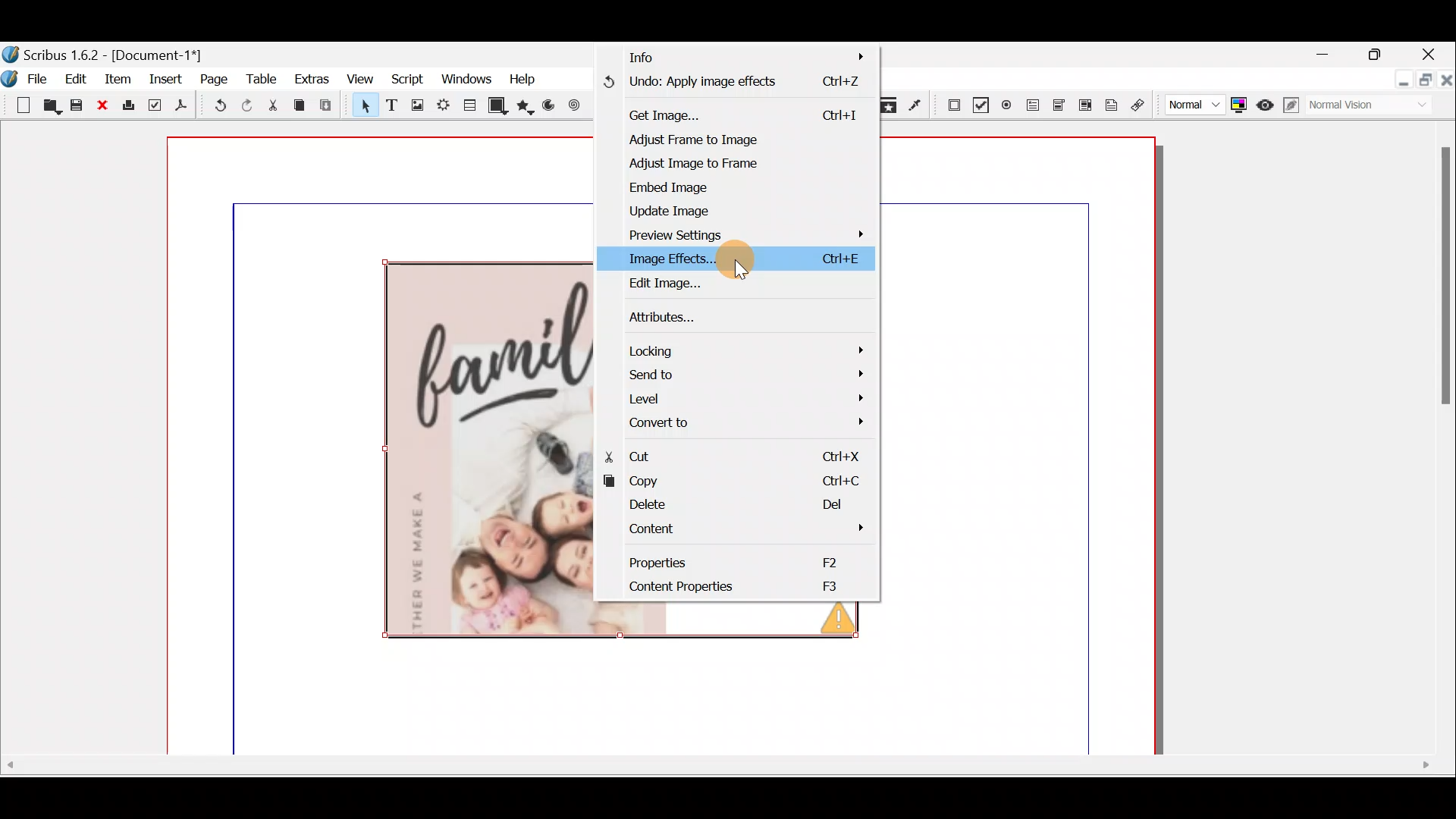  I want to click on Minimise, so click(1316, 55).